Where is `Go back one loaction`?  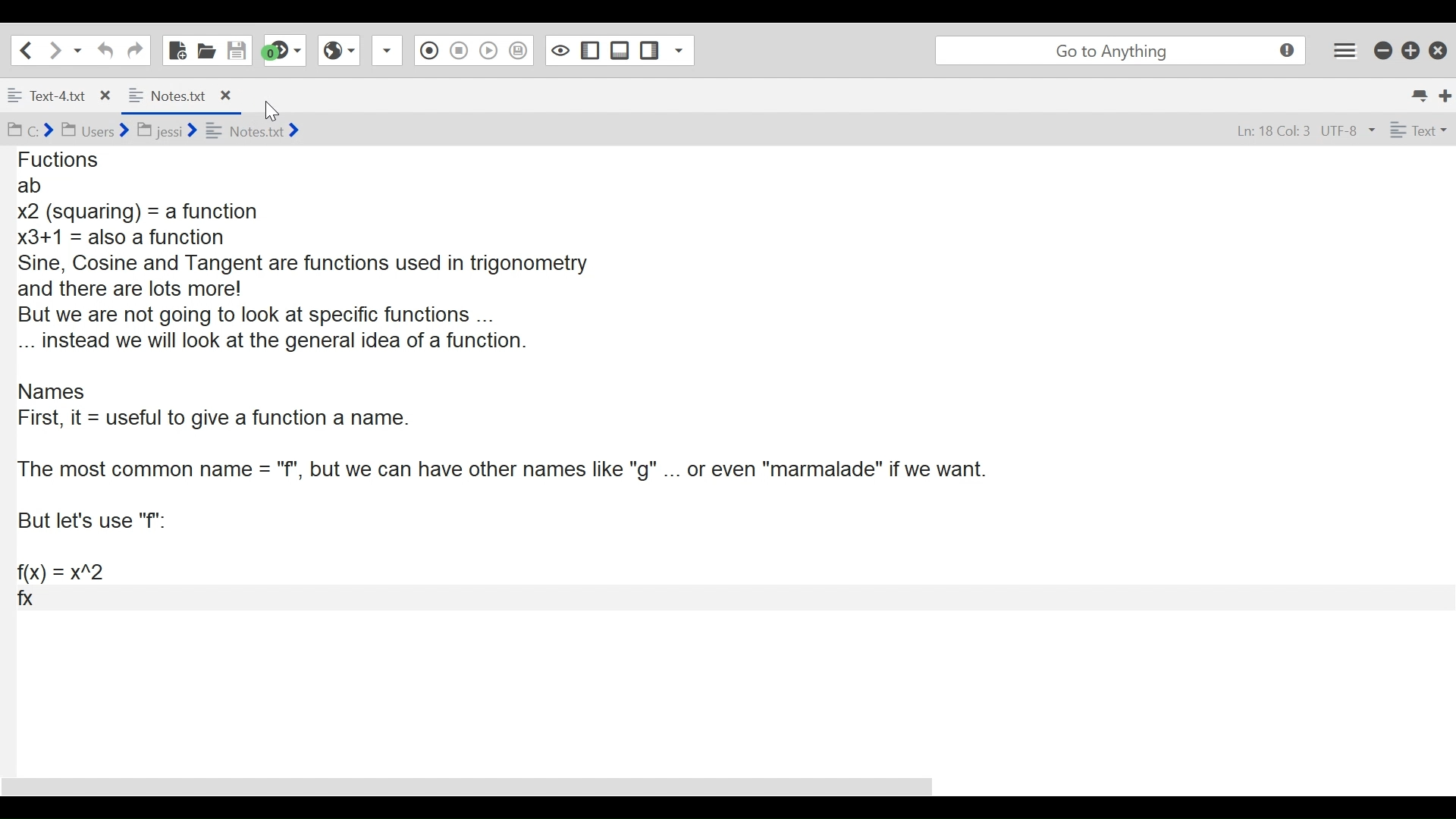
Go back one loaction is located at coordinates (25, 49).